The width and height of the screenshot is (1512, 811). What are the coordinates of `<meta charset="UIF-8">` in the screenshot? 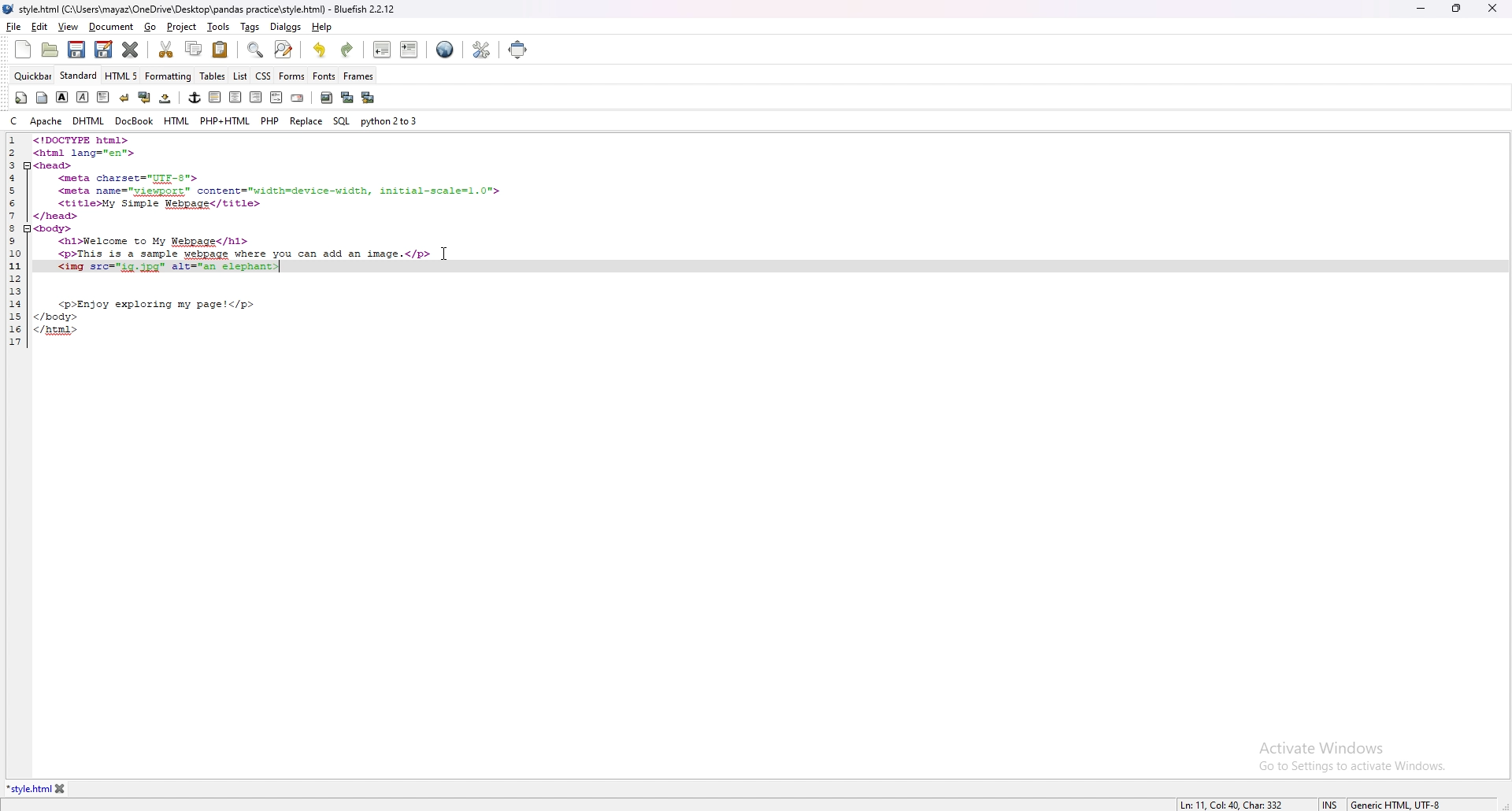 It's located at (130, 179).